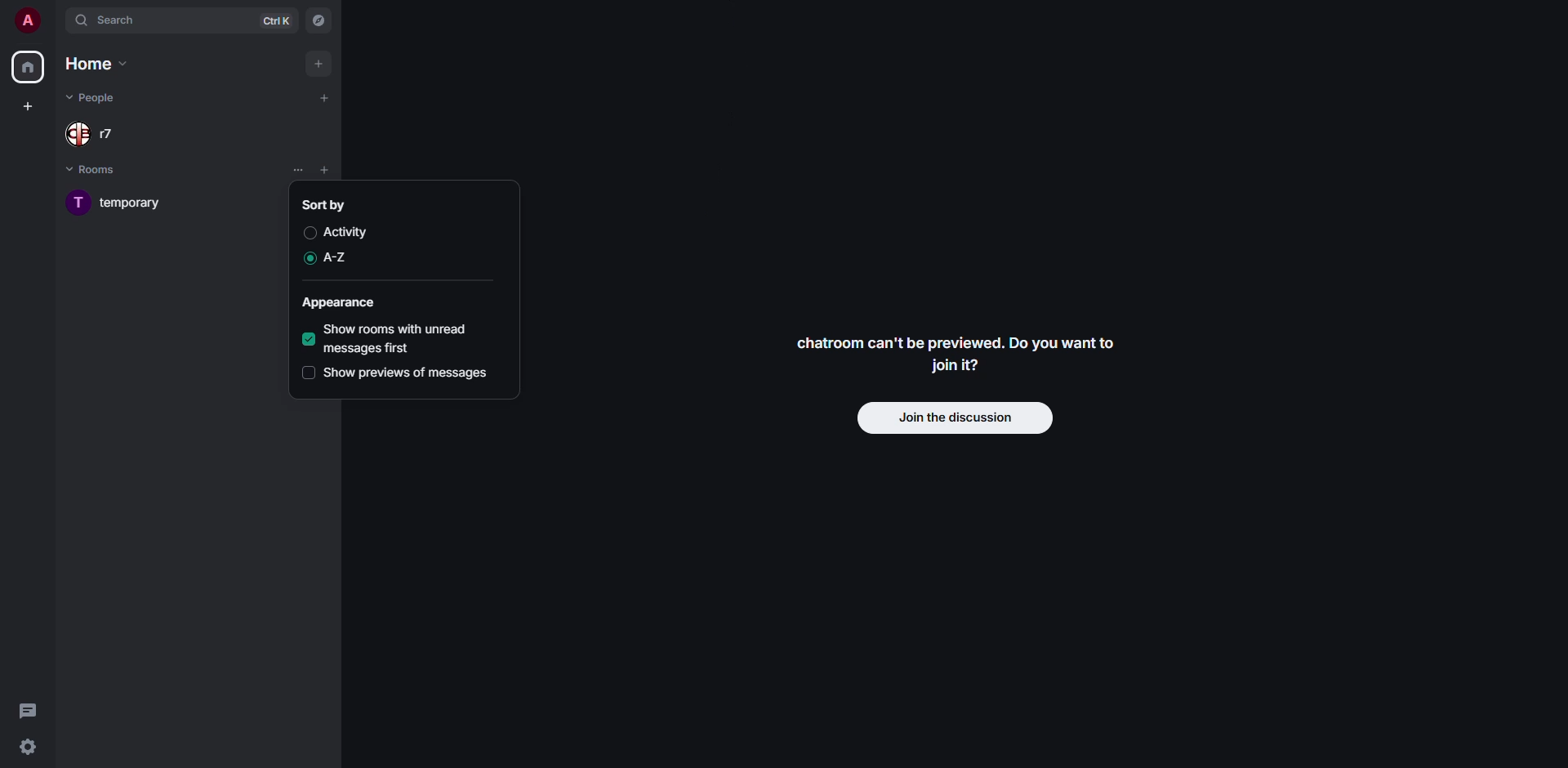 The image size is (1568, 768). Describe the element at coordinates (108, 21) in the screenshot. I see `search` at that location.